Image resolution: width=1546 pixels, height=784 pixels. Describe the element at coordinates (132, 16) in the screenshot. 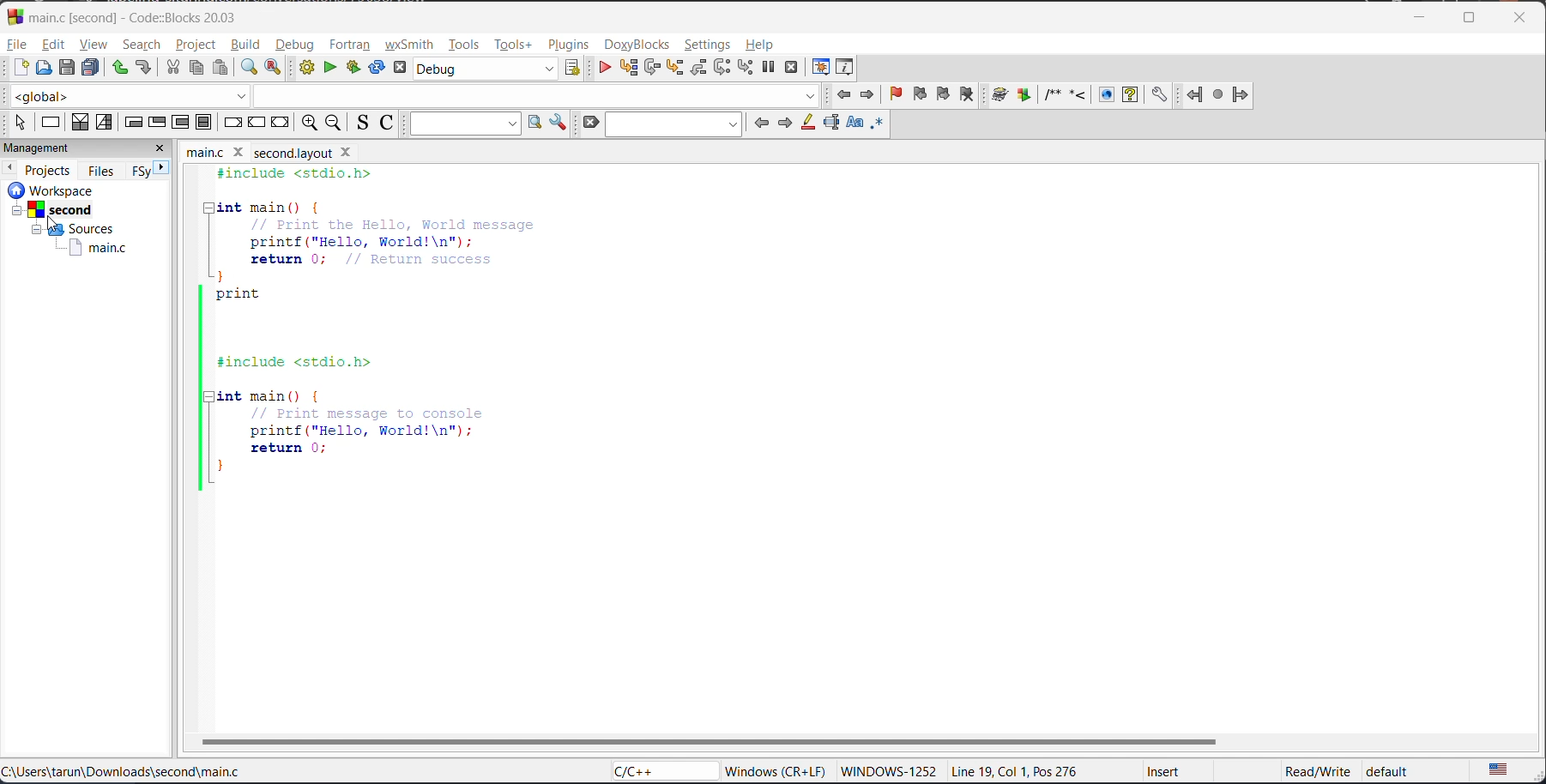

I see `app name and file name` at that location.